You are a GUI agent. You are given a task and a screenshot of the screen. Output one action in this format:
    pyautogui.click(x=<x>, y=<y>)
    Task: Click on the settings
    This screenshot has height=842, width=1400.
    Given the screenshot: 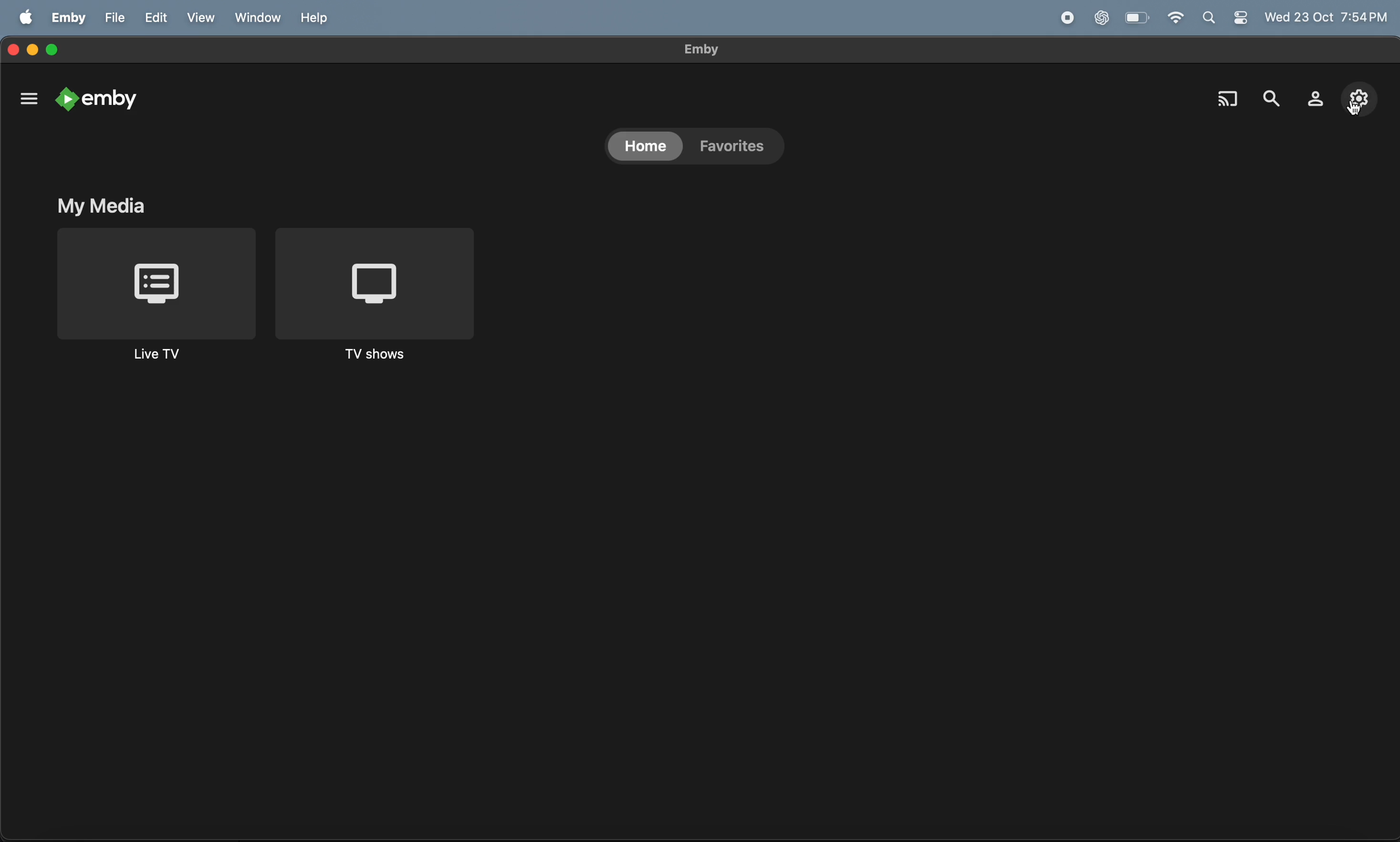 What is the action you would take?
    pyautogui.click(x=1354, y=98)
    